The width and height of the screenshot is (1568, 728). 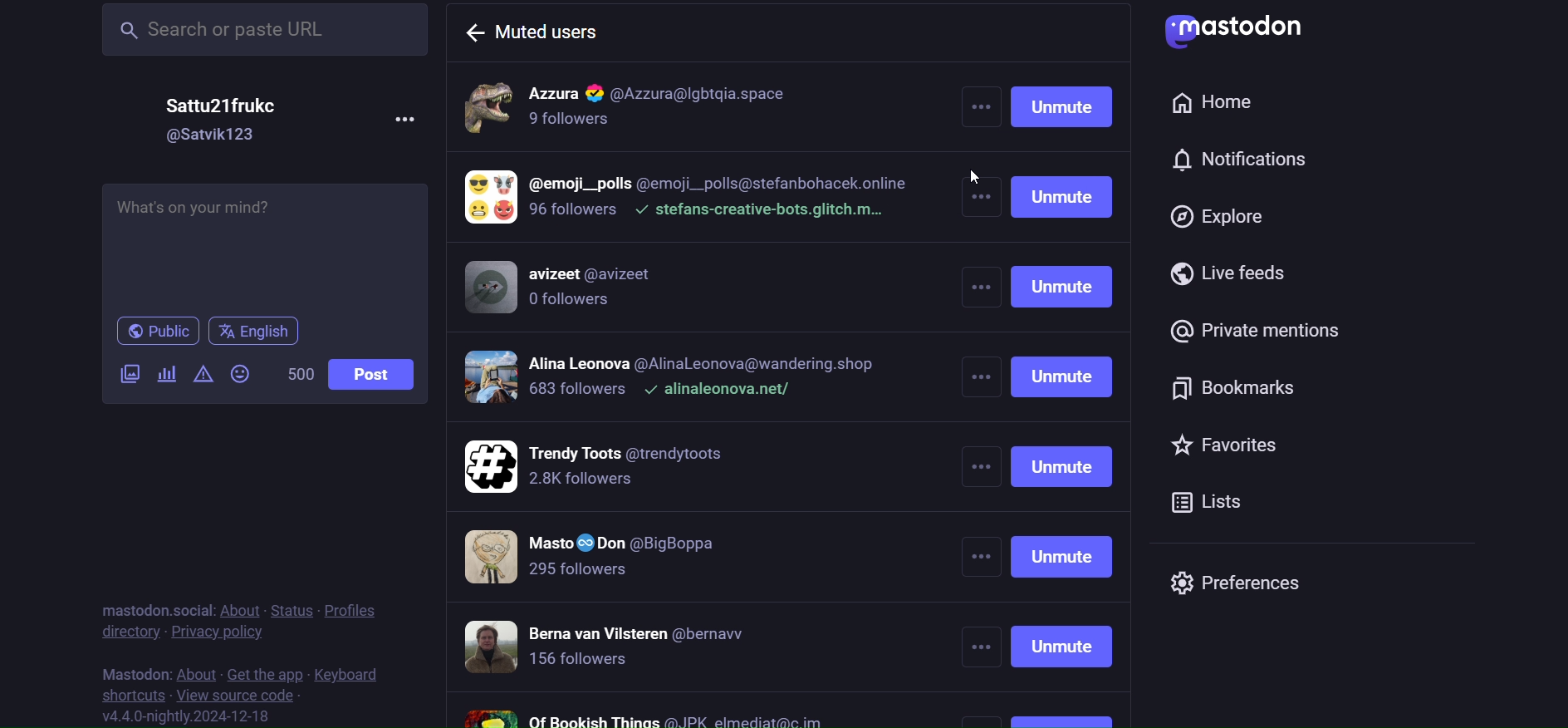 What do you see at coordinates (243, 607) in the screenshot?
I see `about` at bounding box center [243, 607].